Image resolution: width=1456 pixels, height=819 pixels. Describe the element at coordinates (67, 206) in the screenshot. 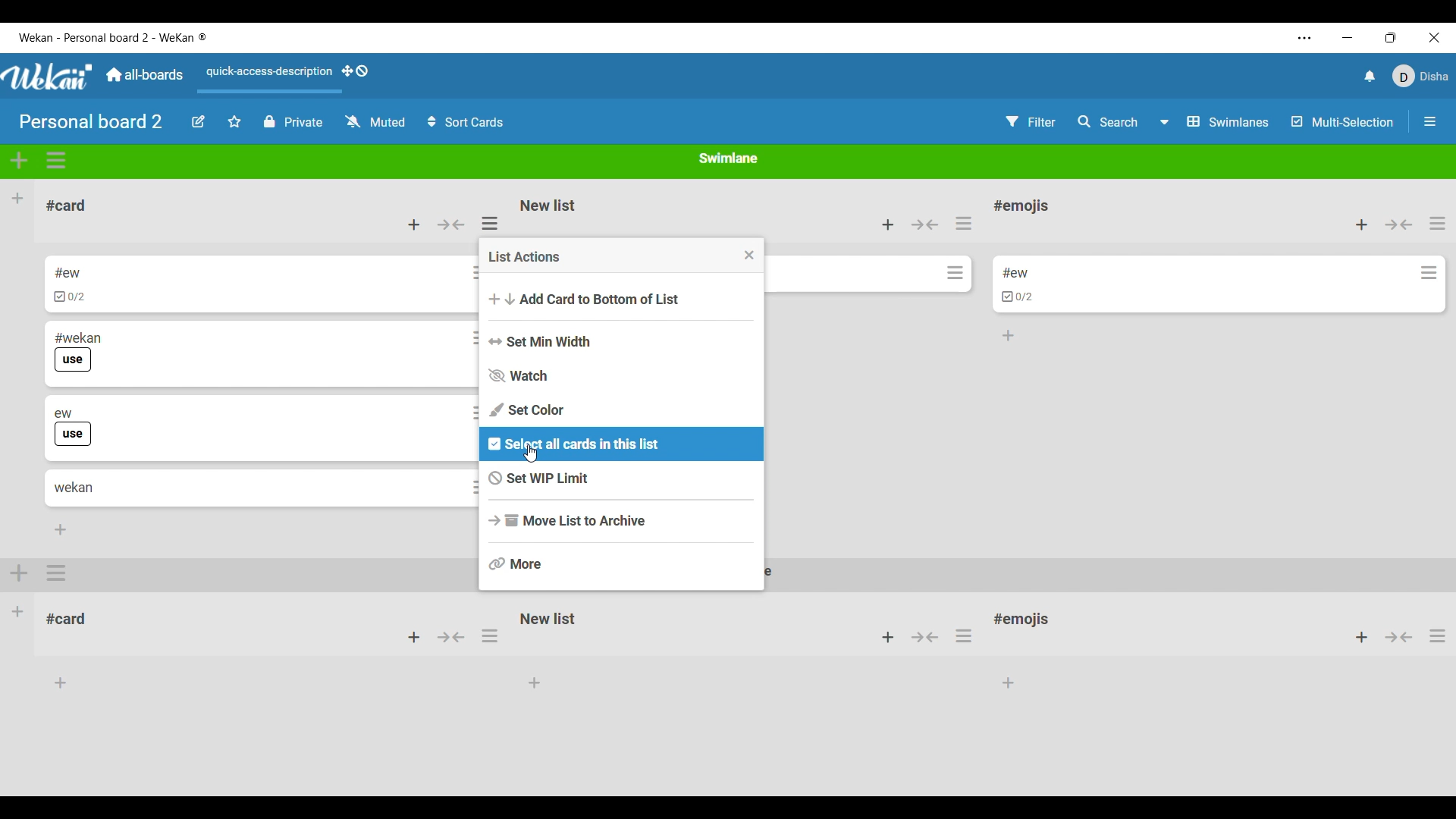

I see `List name` at that location.